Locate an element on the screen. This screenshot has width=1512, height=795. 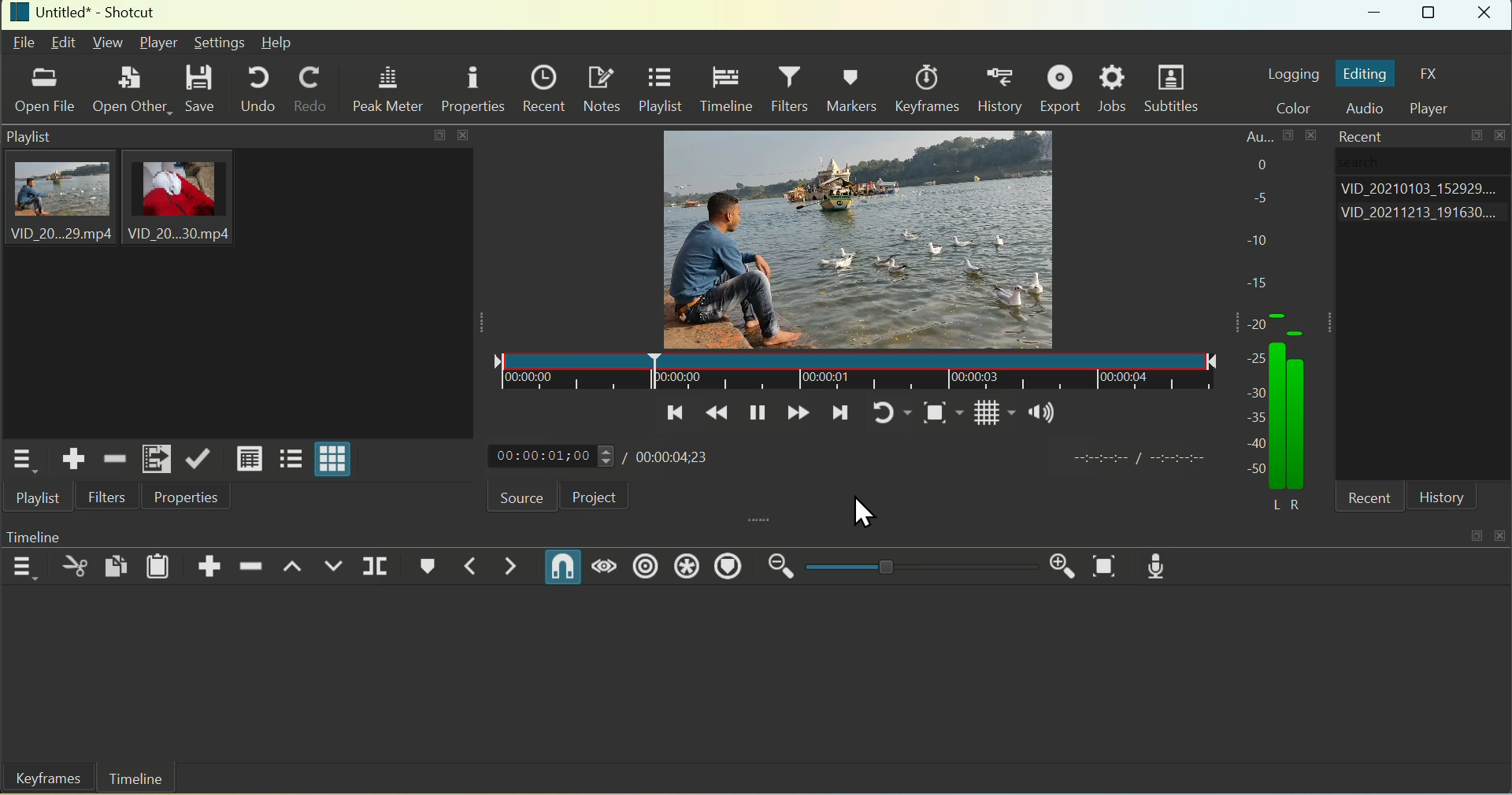
Keyframes is located at coordinates (932, 88).